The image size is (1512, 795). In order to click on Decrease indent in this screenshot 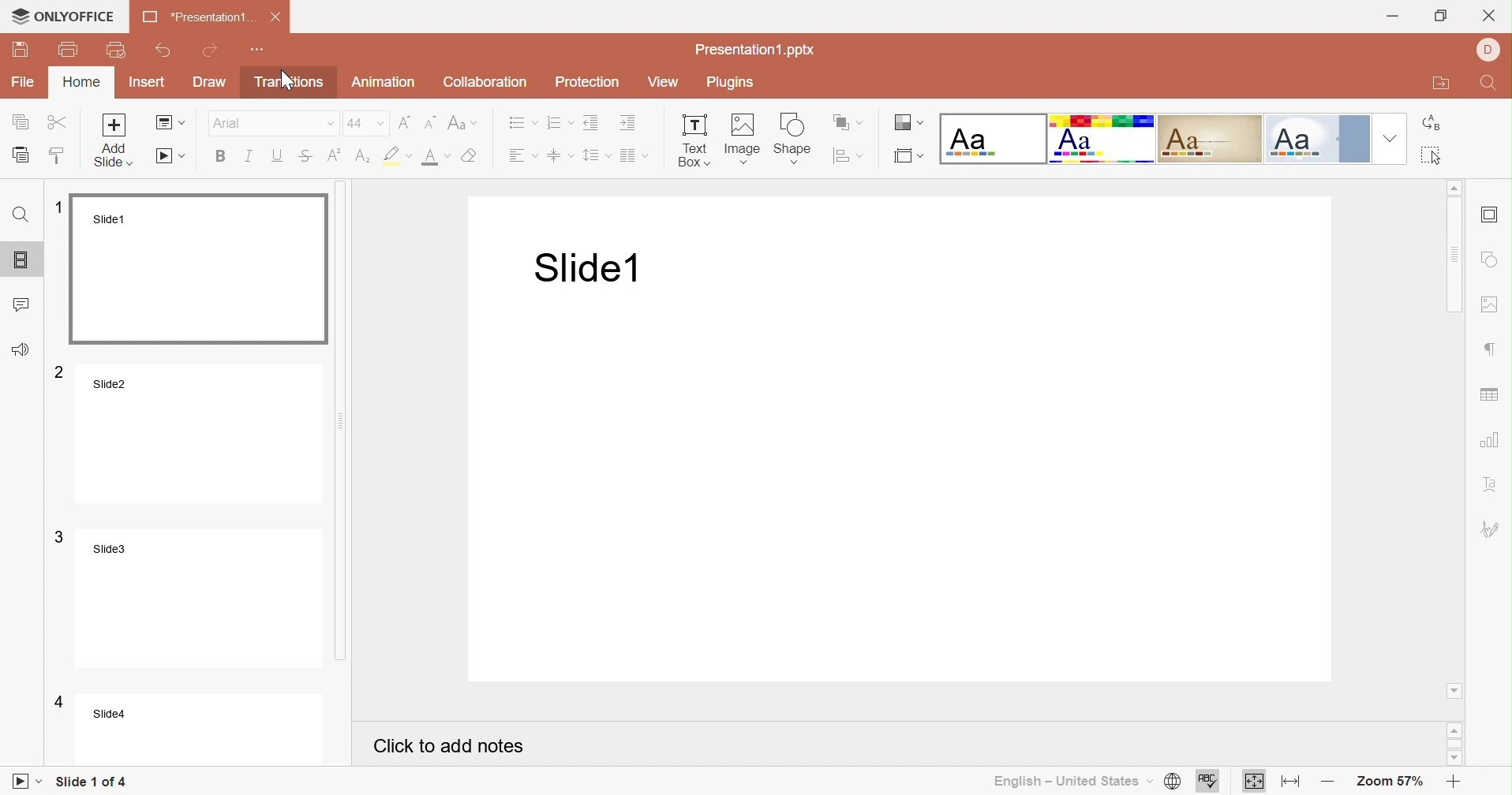, I will do `click(591, 123)`.